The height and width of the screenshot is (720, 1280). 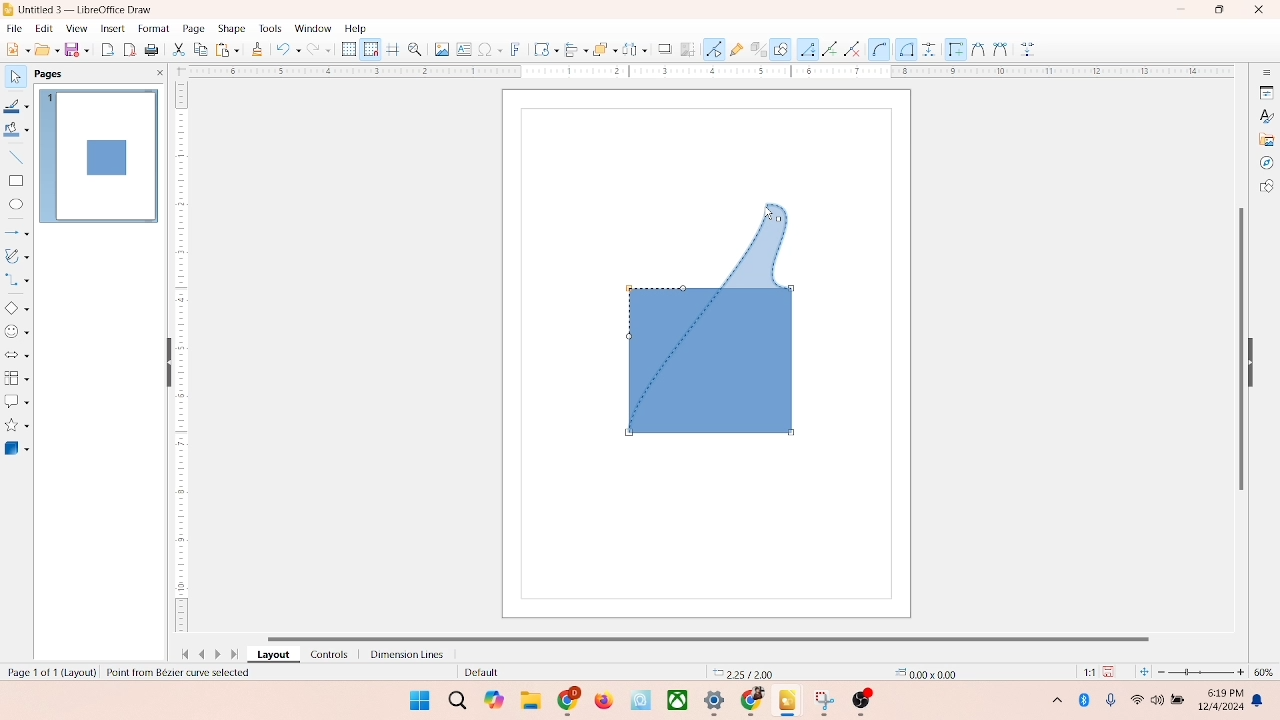 I want to click on print, so click(x=226, y=49).